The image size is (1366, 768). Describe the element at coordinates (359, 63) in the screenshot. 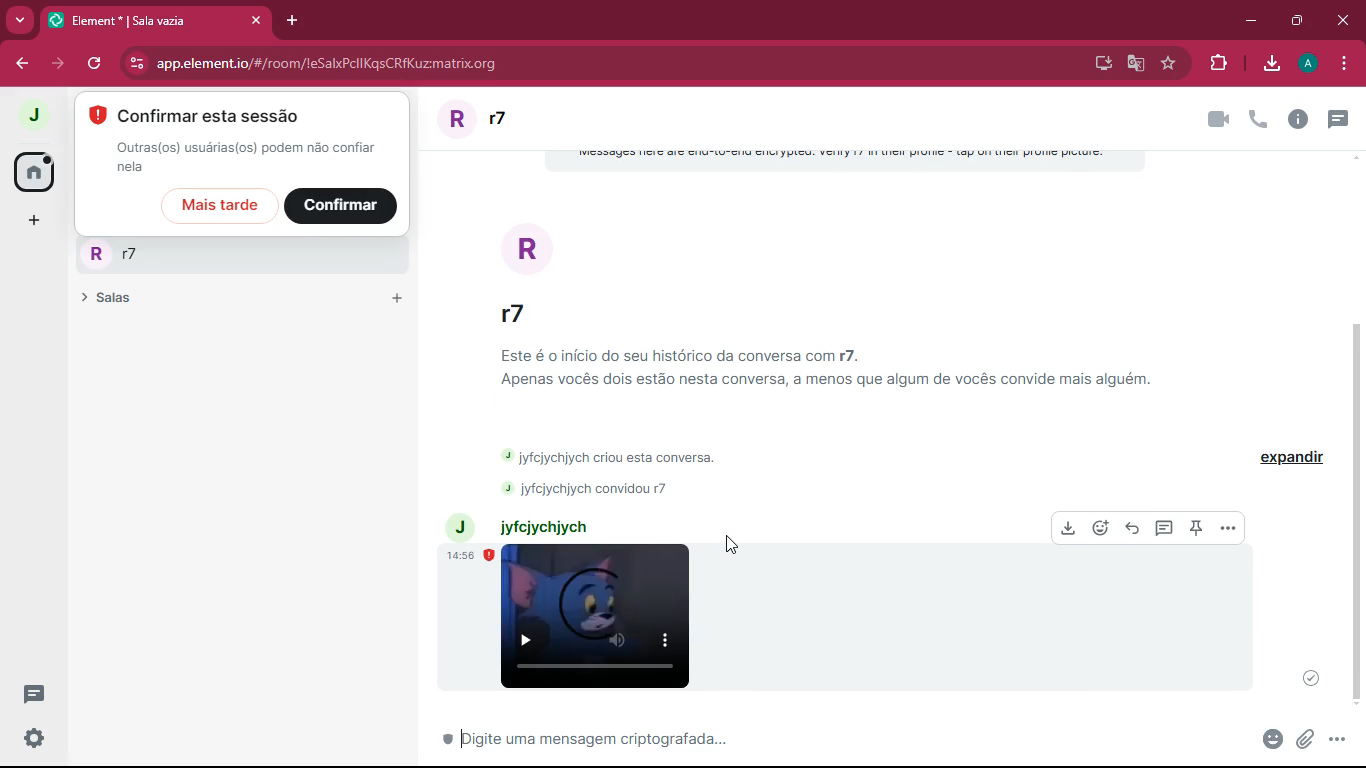

I see `app.element.io/#/room/local+m1733248438726.0` at that location.